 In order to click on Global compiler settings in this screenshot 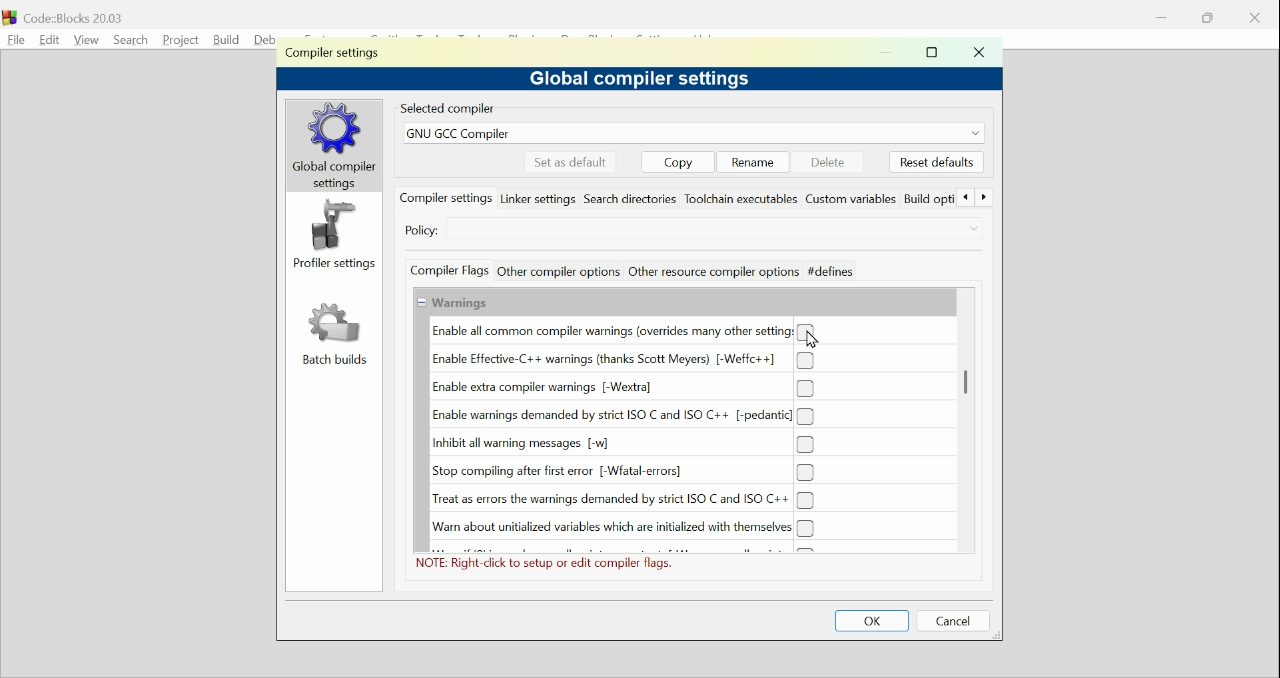, I will do `click(658, 79)`.